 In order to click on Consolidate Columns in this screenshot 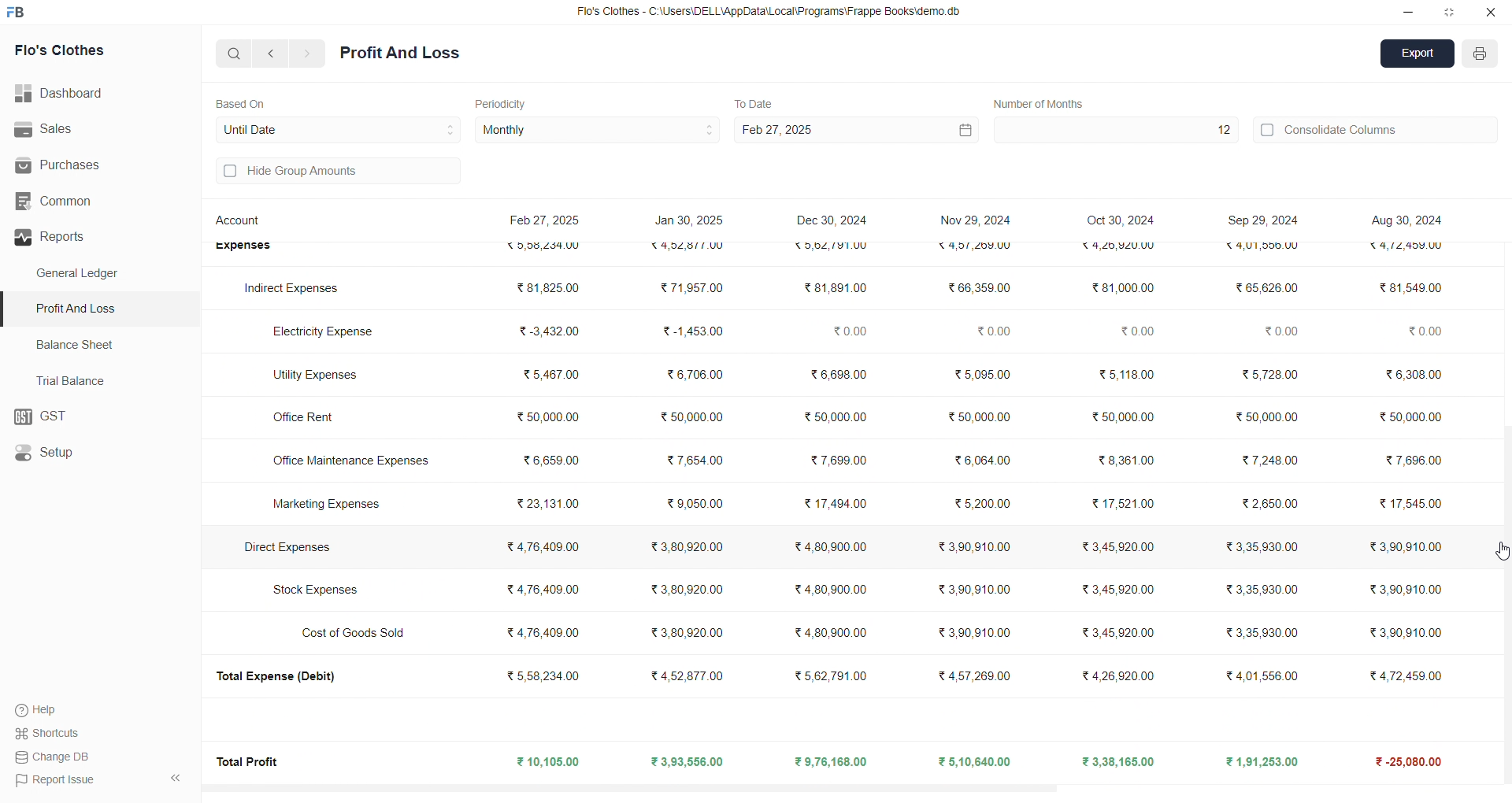, I will do `click(1377, 128)`.